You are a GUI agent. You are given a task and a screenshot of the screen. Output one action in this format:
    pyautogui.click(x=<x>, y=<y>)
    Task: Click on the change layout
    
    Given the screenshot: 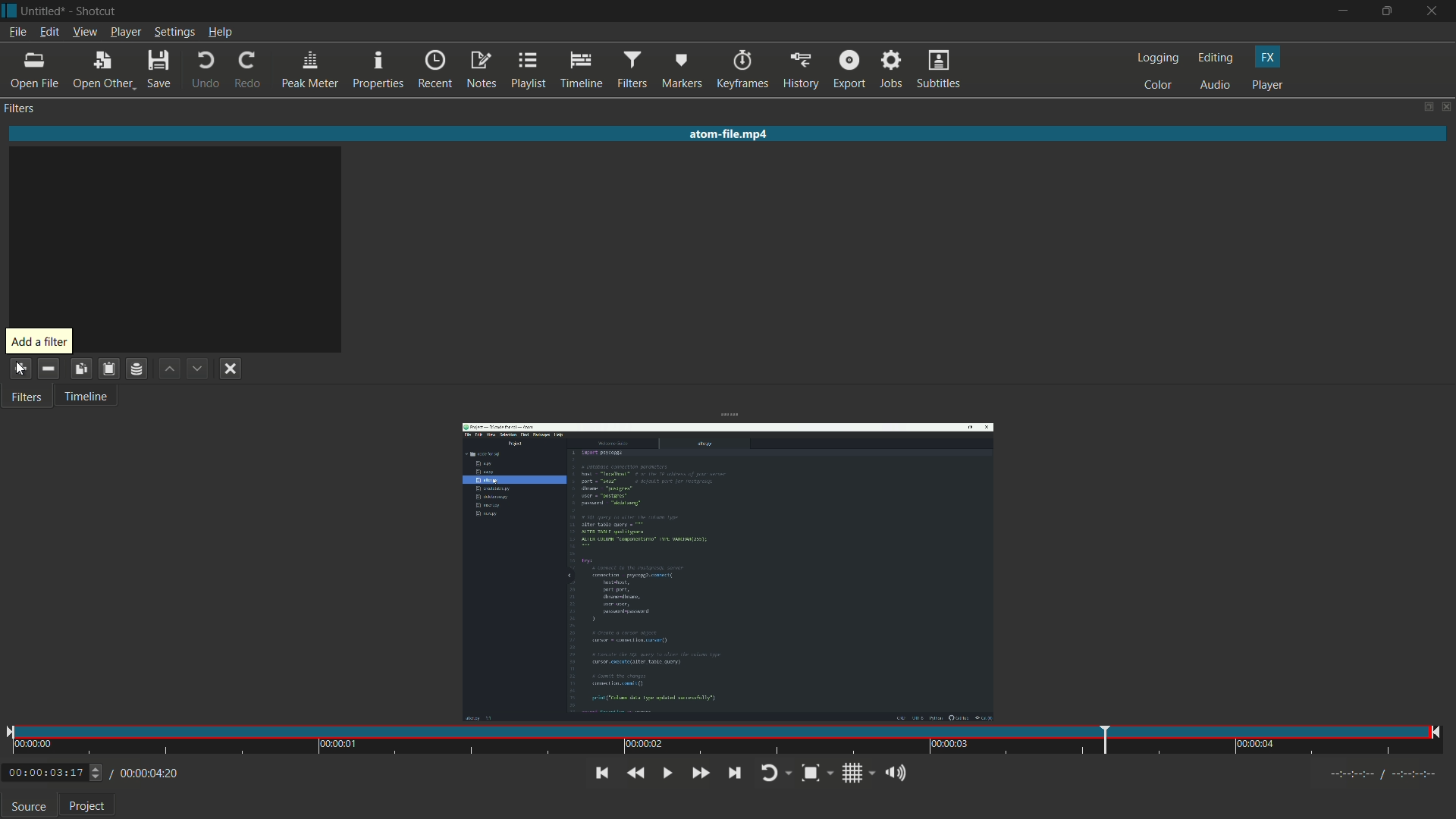 What is the action you would take?
    pyautogui.click(x=1423, y=105)
    